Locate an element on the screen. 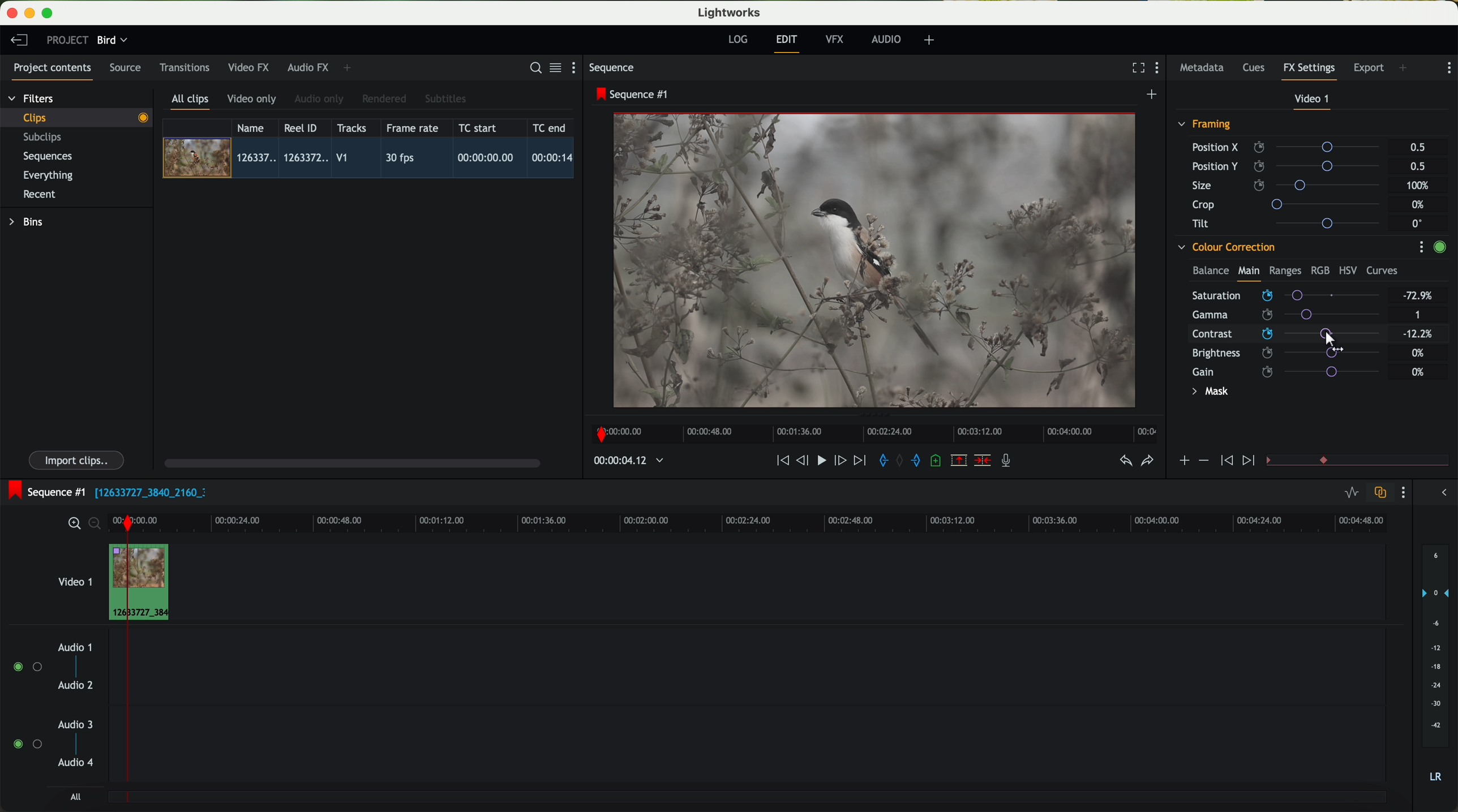  timeline is located at coordinates (623, 461).